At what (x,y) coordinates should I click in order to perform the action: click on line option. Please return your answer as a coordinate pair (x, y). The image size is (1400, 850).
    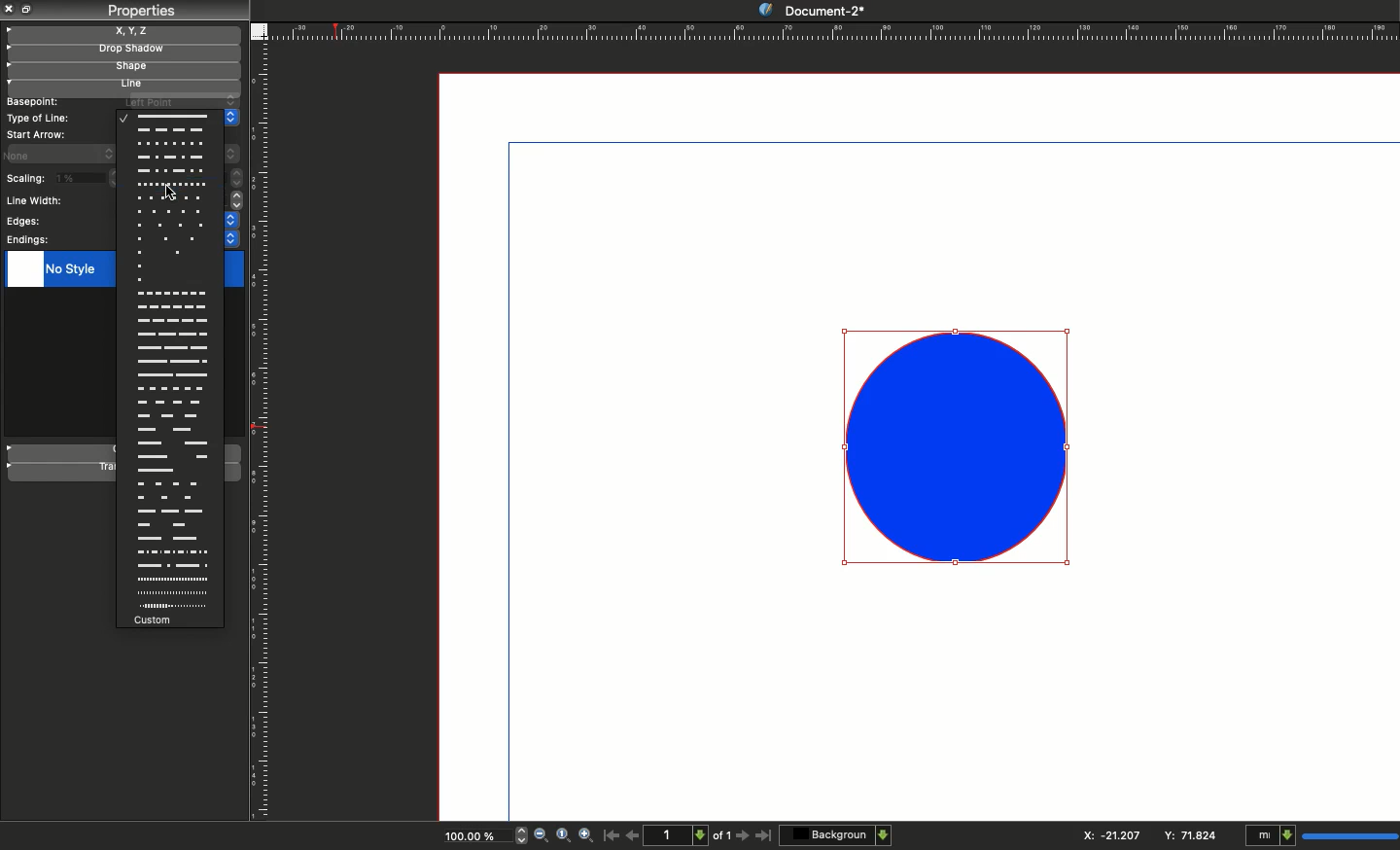
    Looking at the image, I should click on (169, 471).